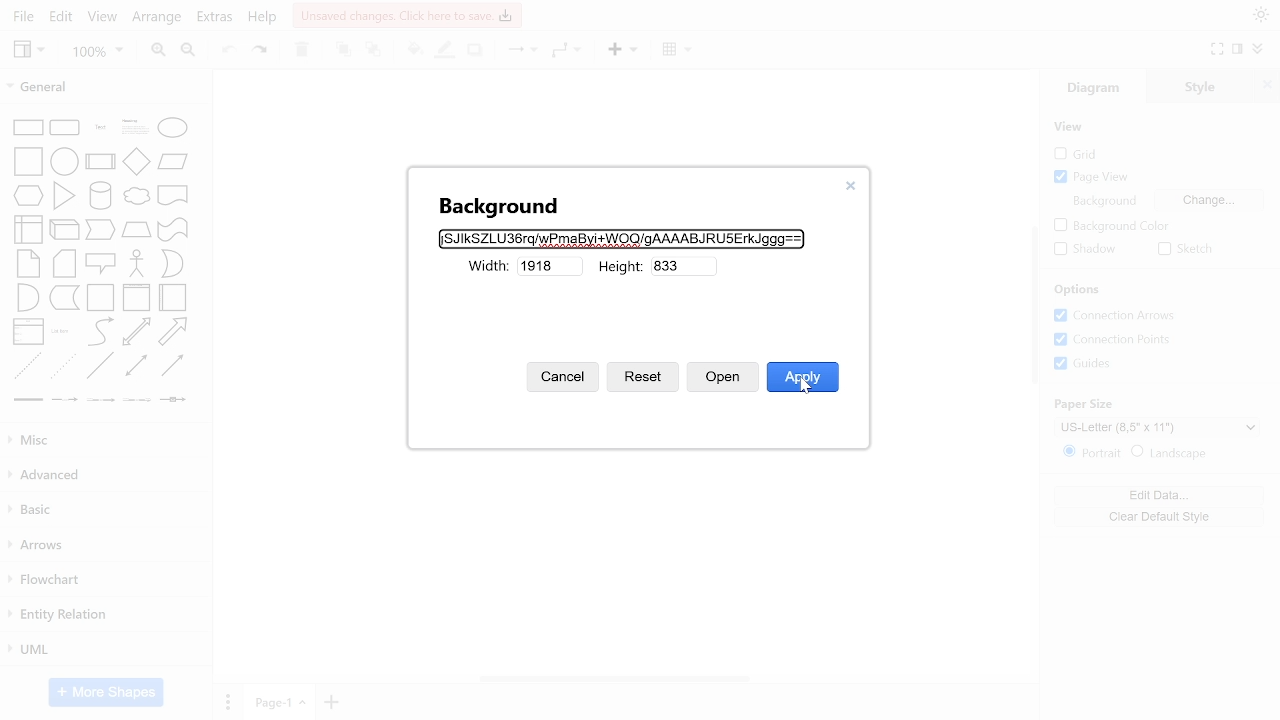  What do you see at coordinates (25, 368) in the screenshot?
I see `general shapes` at bounding box center [25, 368].